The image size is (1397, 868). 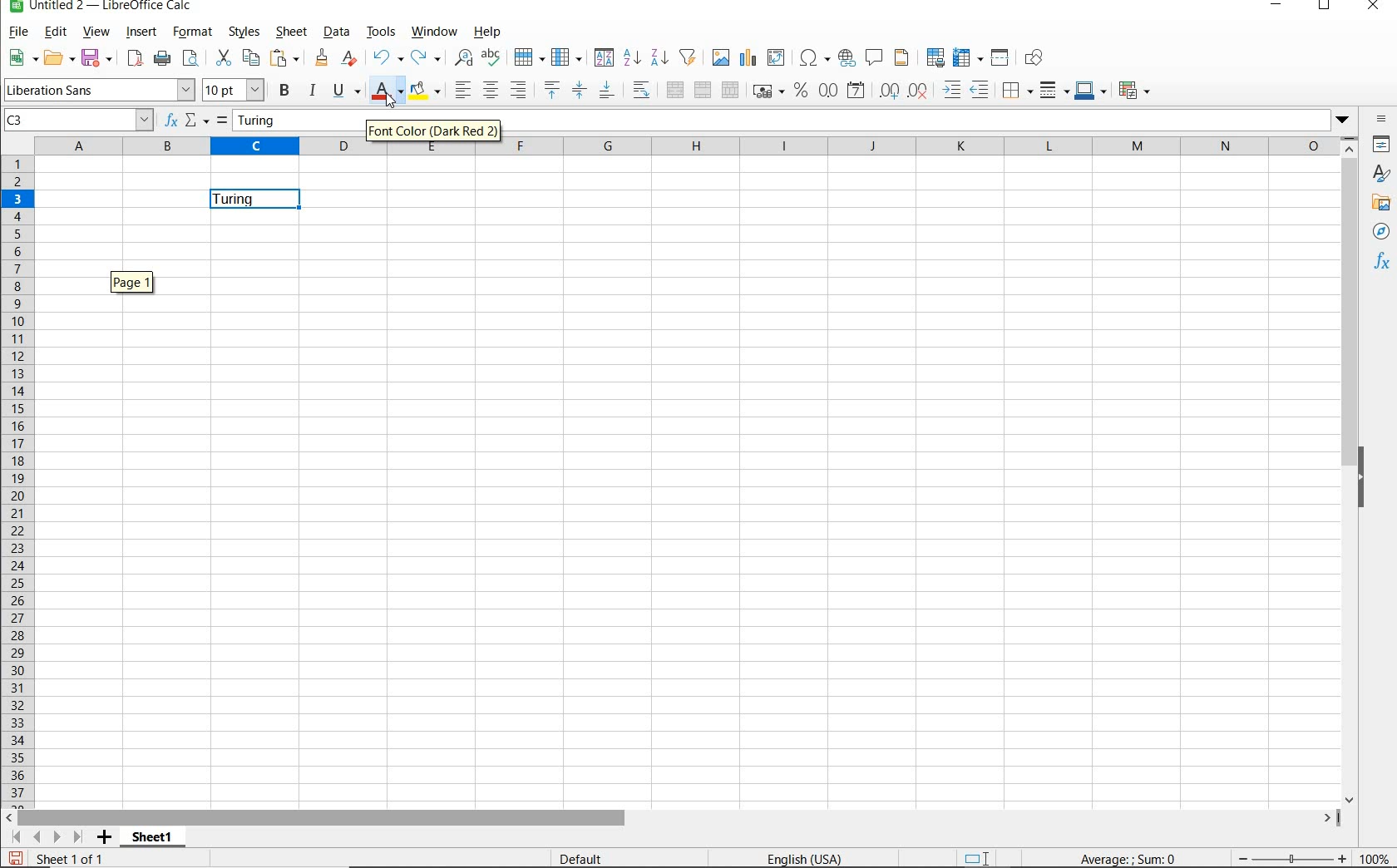 I want to click on HELP, so click(x=490, y=32).